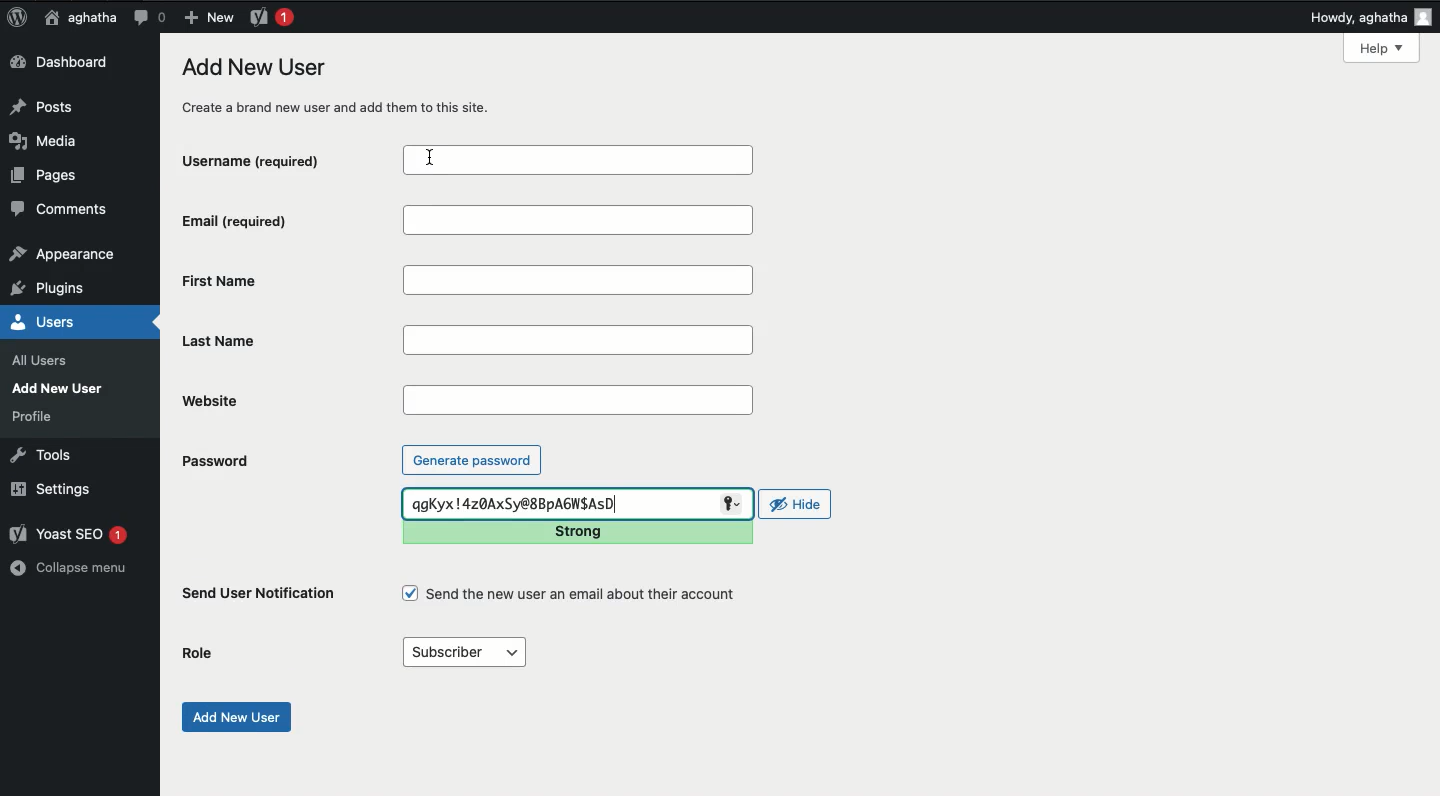 The width and height of the screenshot is (1440, 796). Describe the element at coordinates (281, 160) in the screenshot. I see `Username (required)` at that location.